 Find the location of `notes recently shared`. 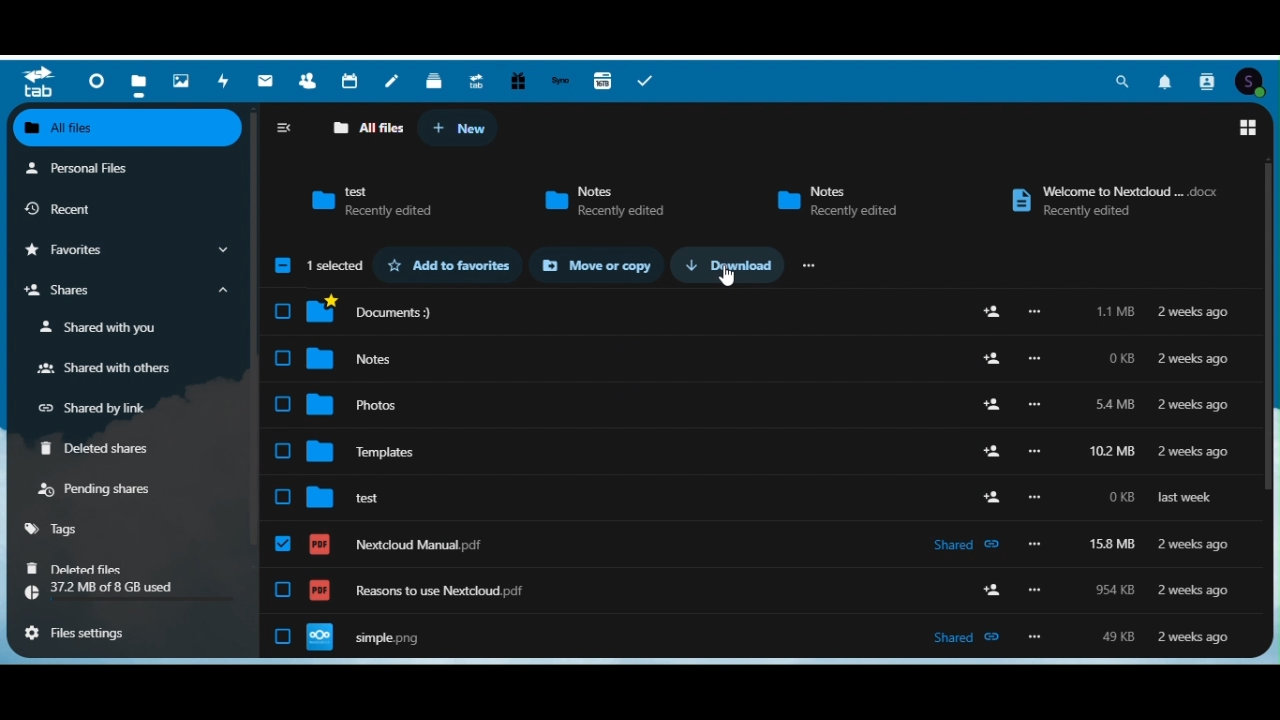

notes recently shared is located at coordinates (611, 199).